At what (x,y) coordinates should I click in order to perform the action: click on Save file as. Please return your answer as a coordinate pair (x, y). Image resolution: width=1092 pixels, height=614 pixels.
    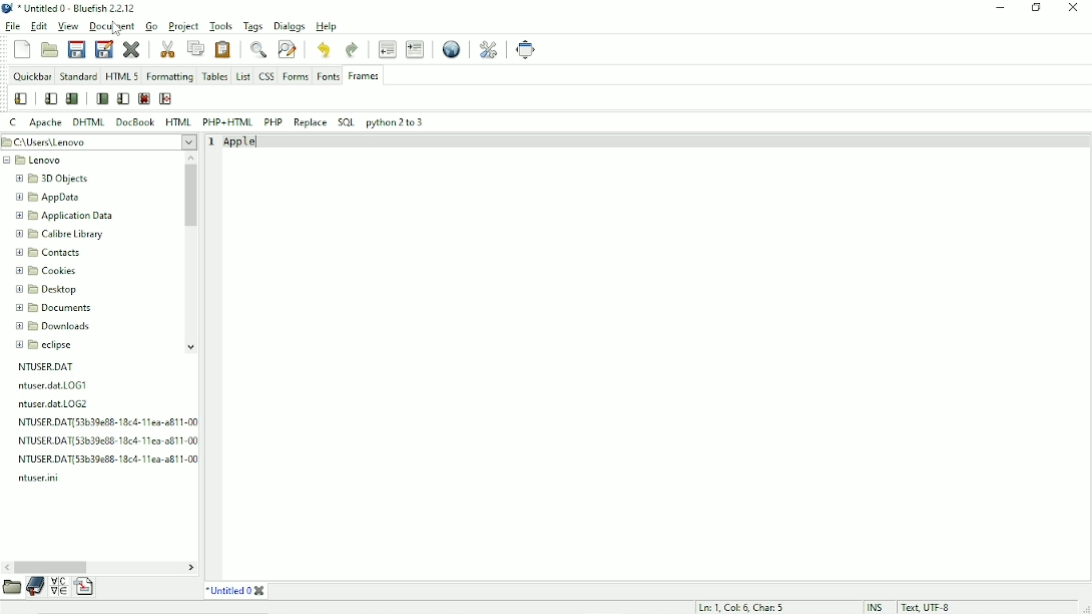
    Looking at the image, I should click on (103, 48).